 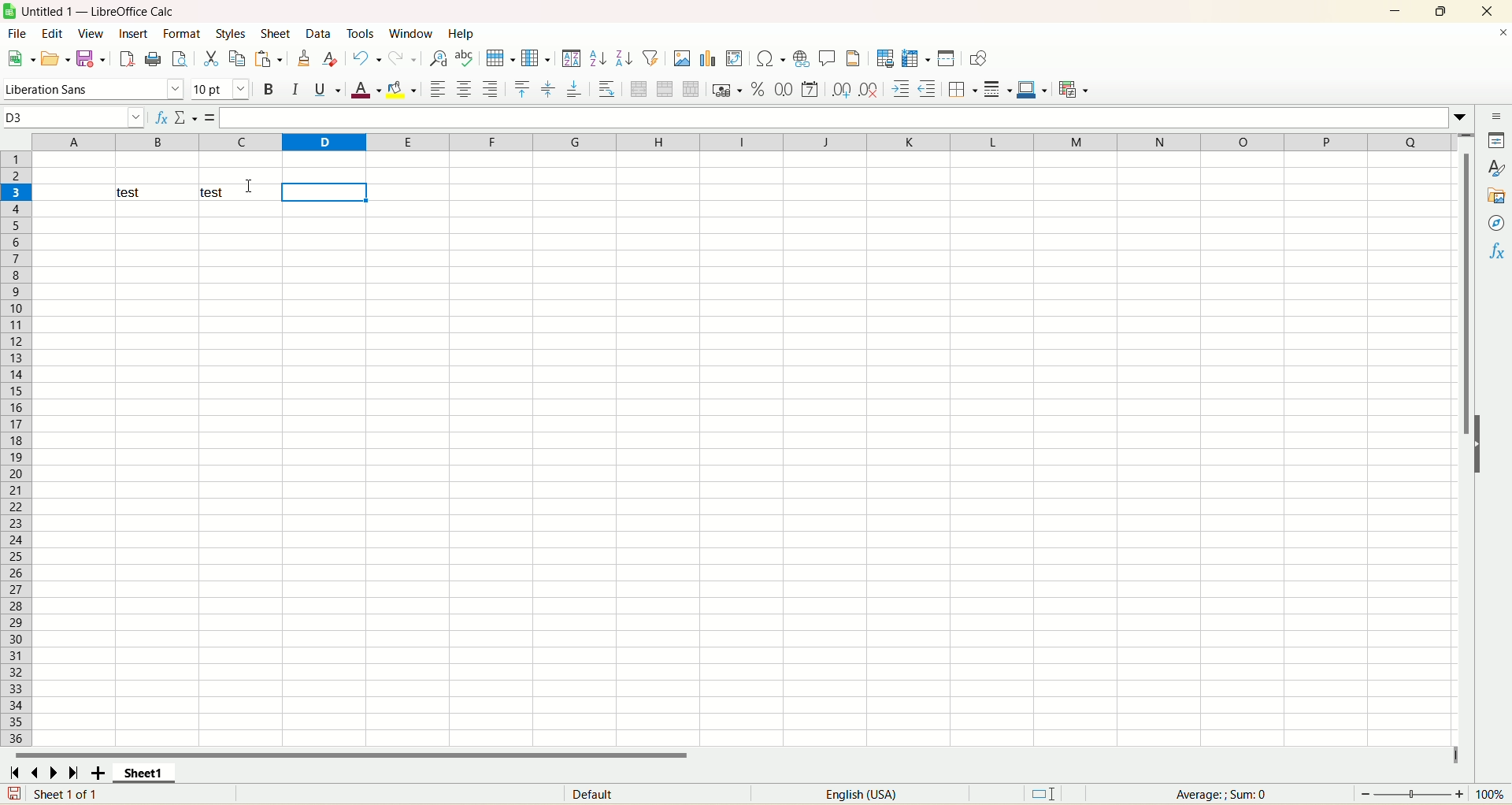 What do you see at coordinates (320, 33) in the screenshot?
I see `data` at bounding box center [320, 33].